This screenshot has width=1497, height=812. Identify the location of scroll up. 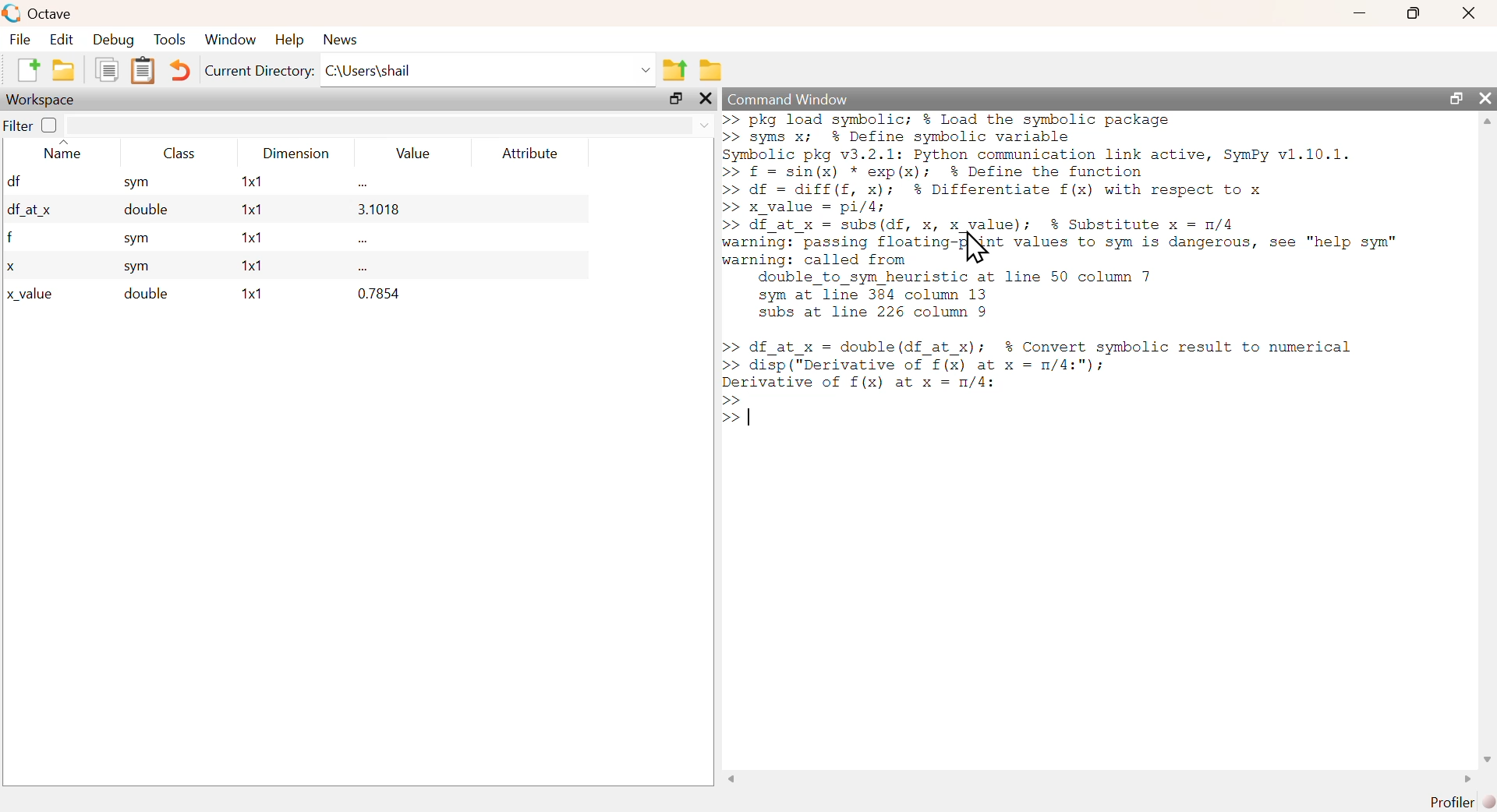
(1487, 121).